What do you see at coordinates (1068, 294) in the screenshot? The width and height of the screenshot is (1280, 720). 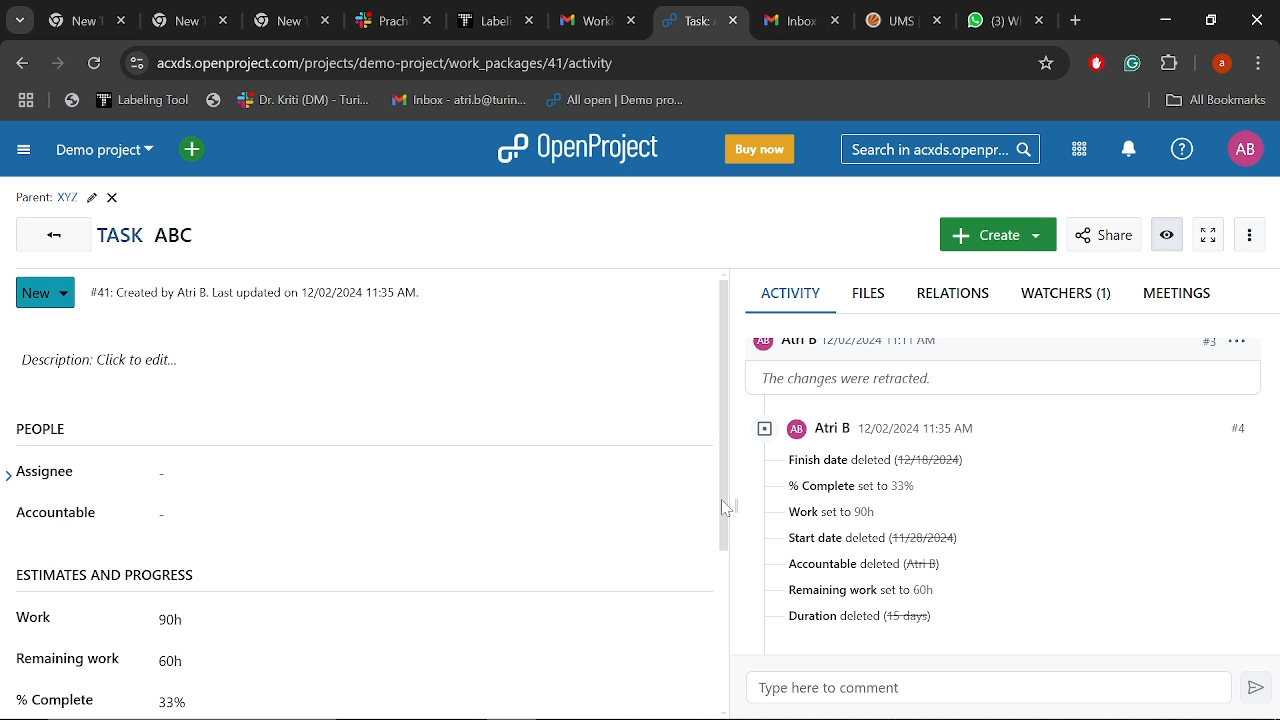 I see `Watchers` at bounding box center [1068, 294].